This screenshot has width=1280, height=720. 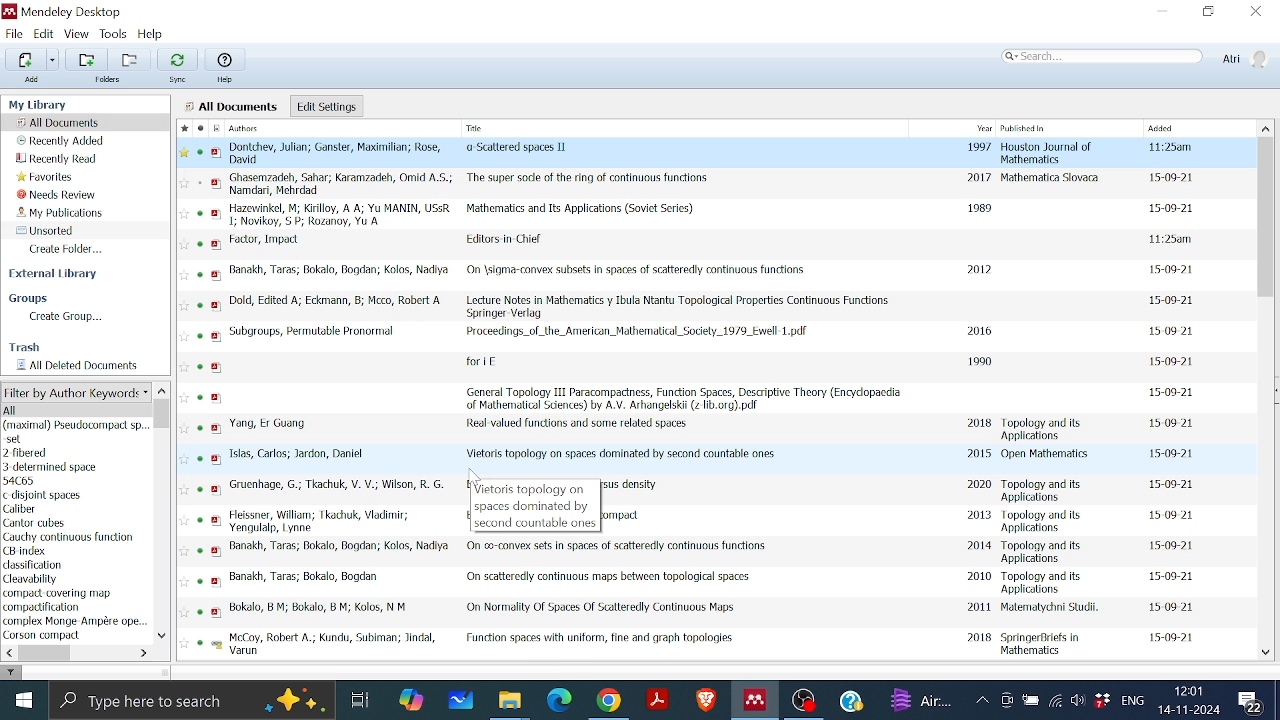 I want to click on pdf, so click(x=216, y=581).